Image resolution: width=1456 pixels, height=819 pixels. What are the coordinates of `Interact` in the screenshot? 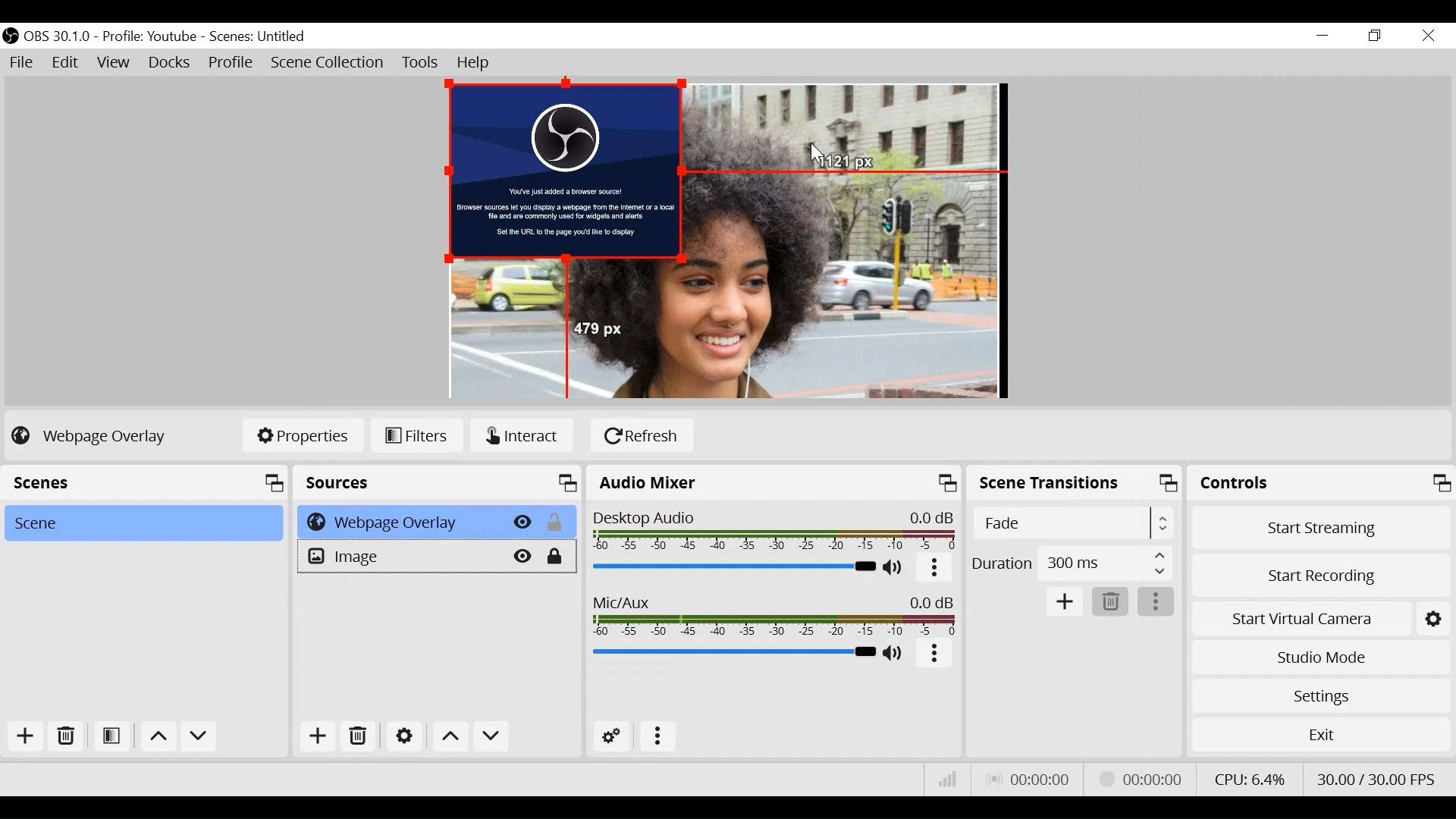 It's located at (519, 436).